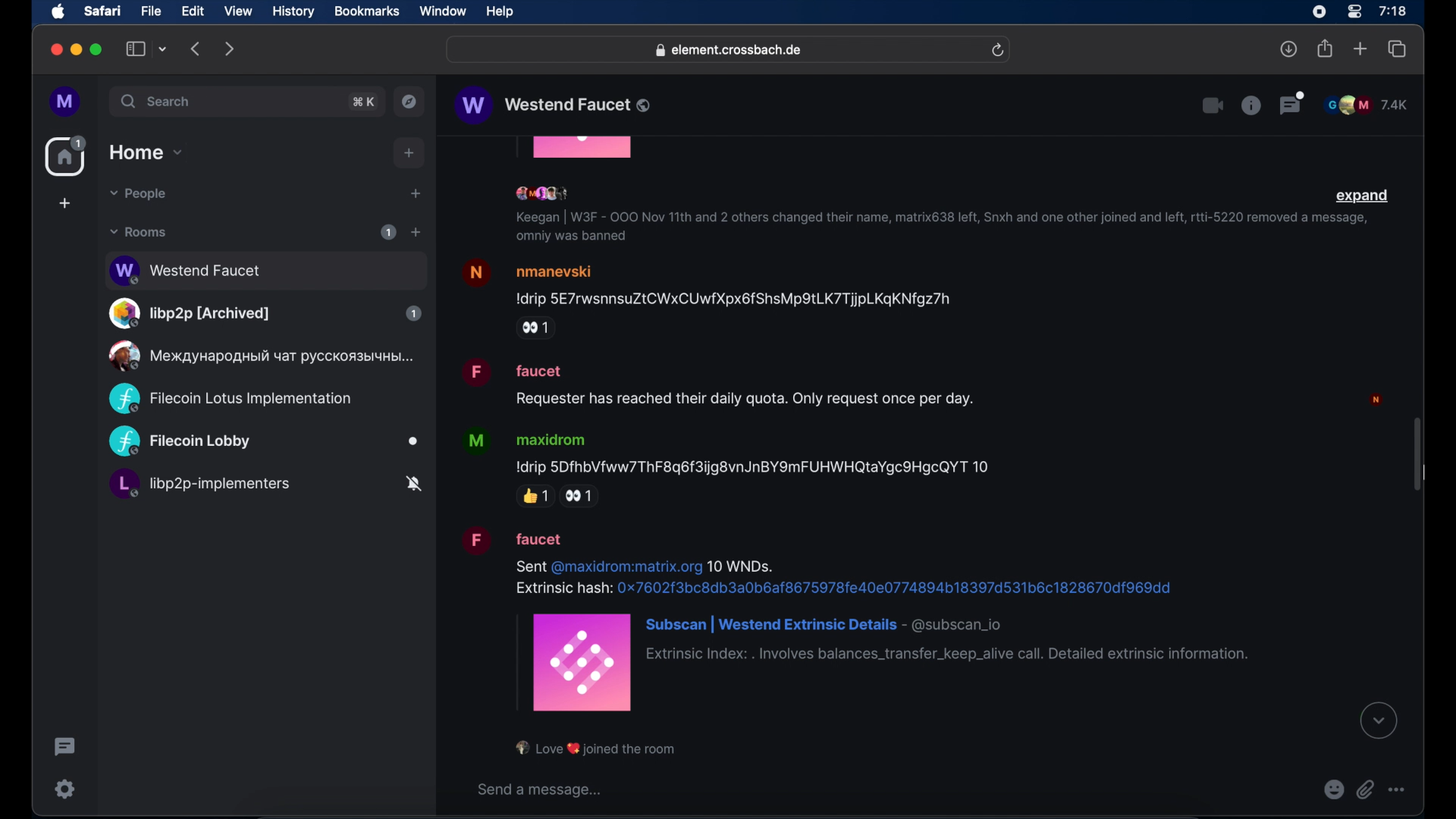 The width and height of the screenshot is (1456, 819). What do you see at coordinates (1379, 721) in the screenshot?
I see `see latest message` at bounding box center [1379, 721].